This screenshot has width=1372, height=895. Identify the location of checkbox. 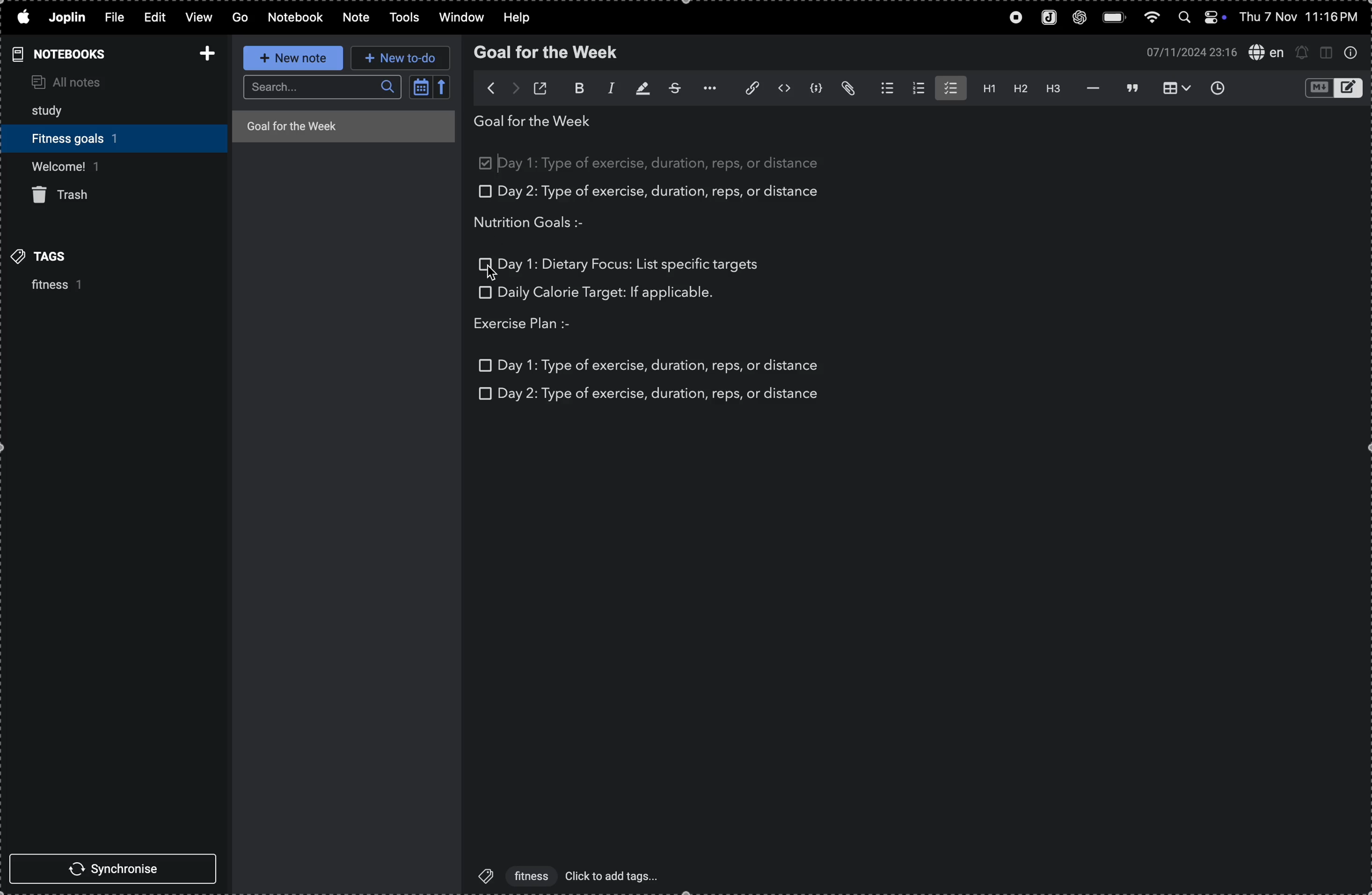
(483, 192).